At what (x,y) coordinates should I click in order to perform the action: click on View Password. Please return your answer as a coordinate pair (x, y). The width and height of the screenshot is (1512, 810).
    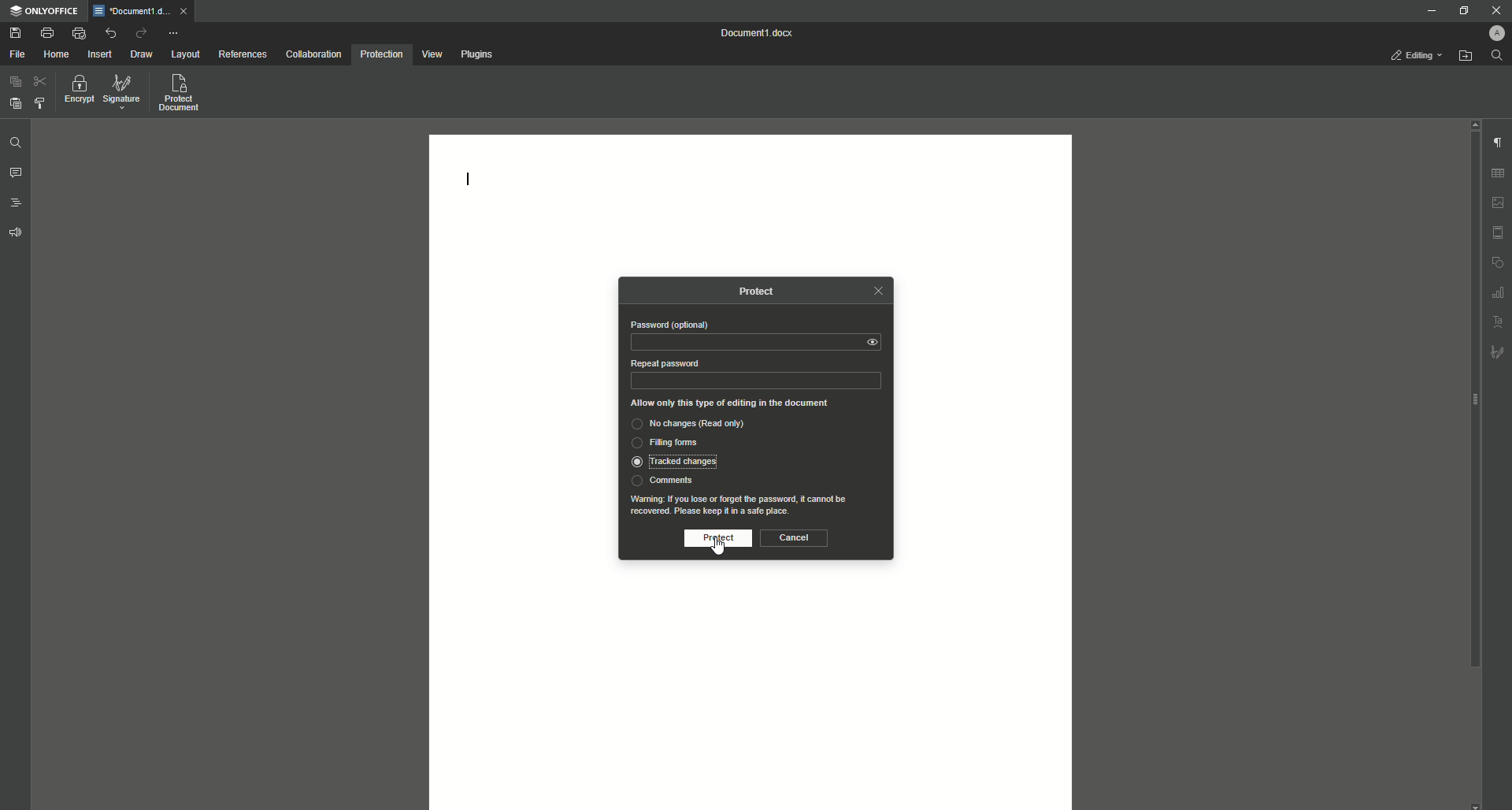
    Looking at the image, I should click on (873, 341).